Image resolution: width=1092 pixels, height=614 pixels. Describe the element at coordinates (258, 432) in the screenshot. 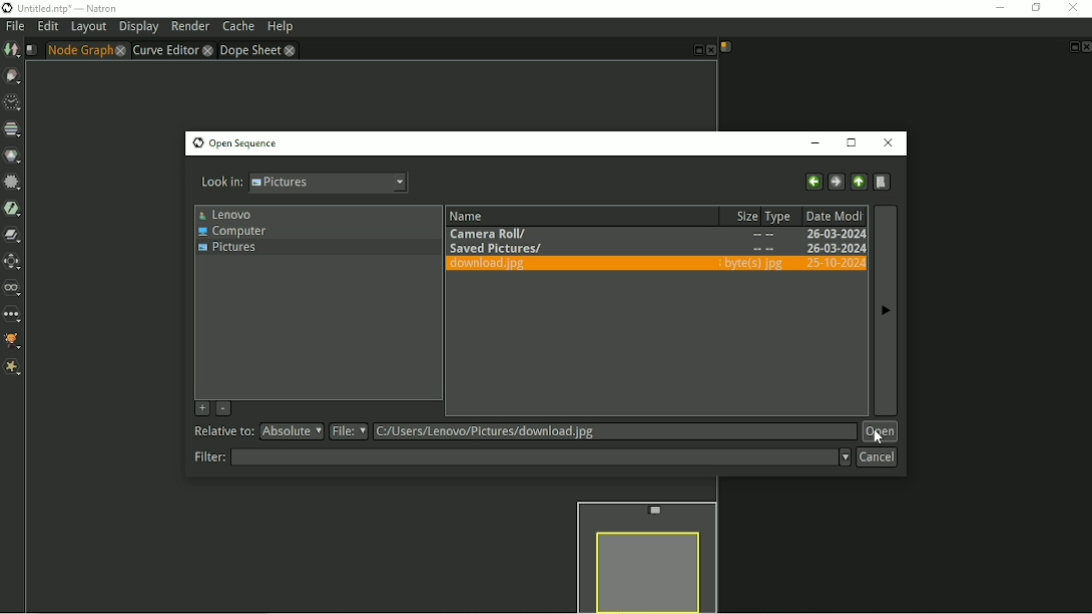

I see `Relative to: Absolute ` at that location.